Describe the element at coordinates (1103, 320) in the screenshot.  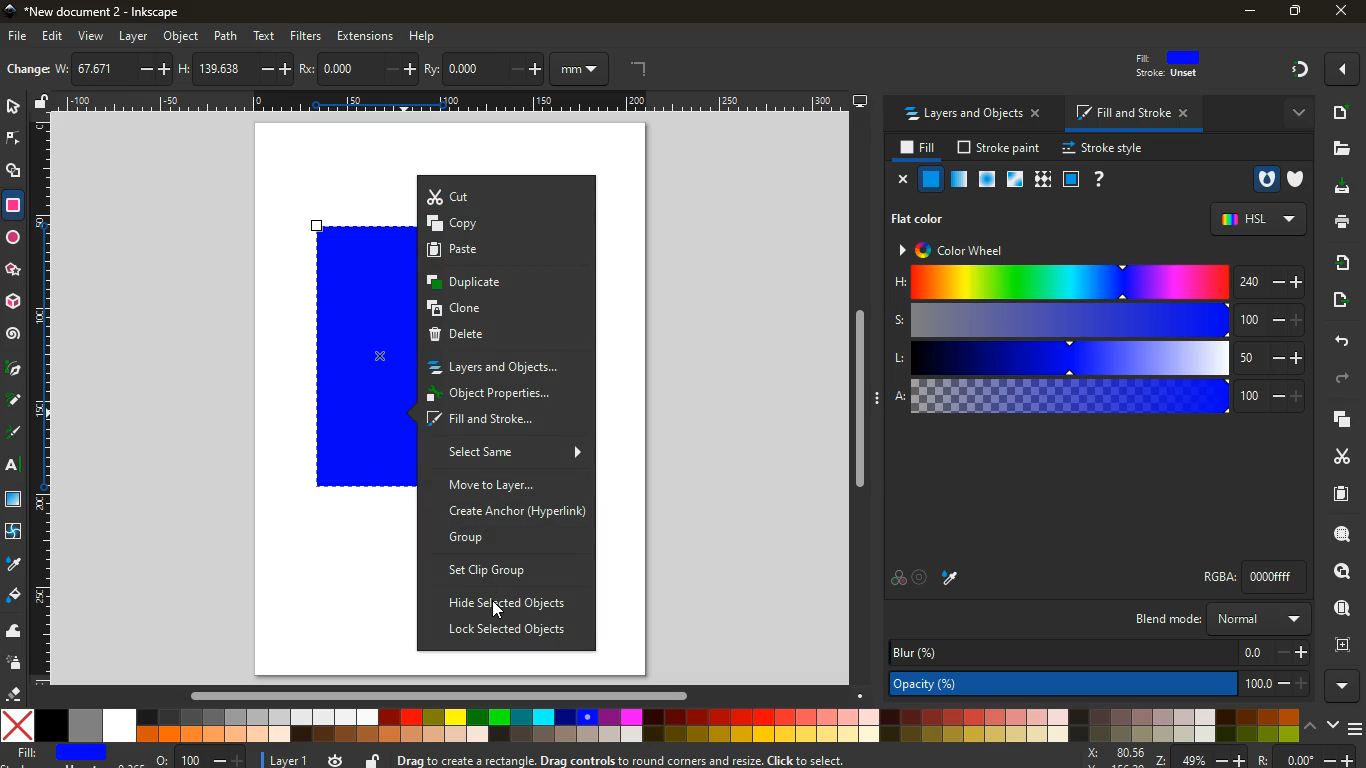
I see `s` at that location.